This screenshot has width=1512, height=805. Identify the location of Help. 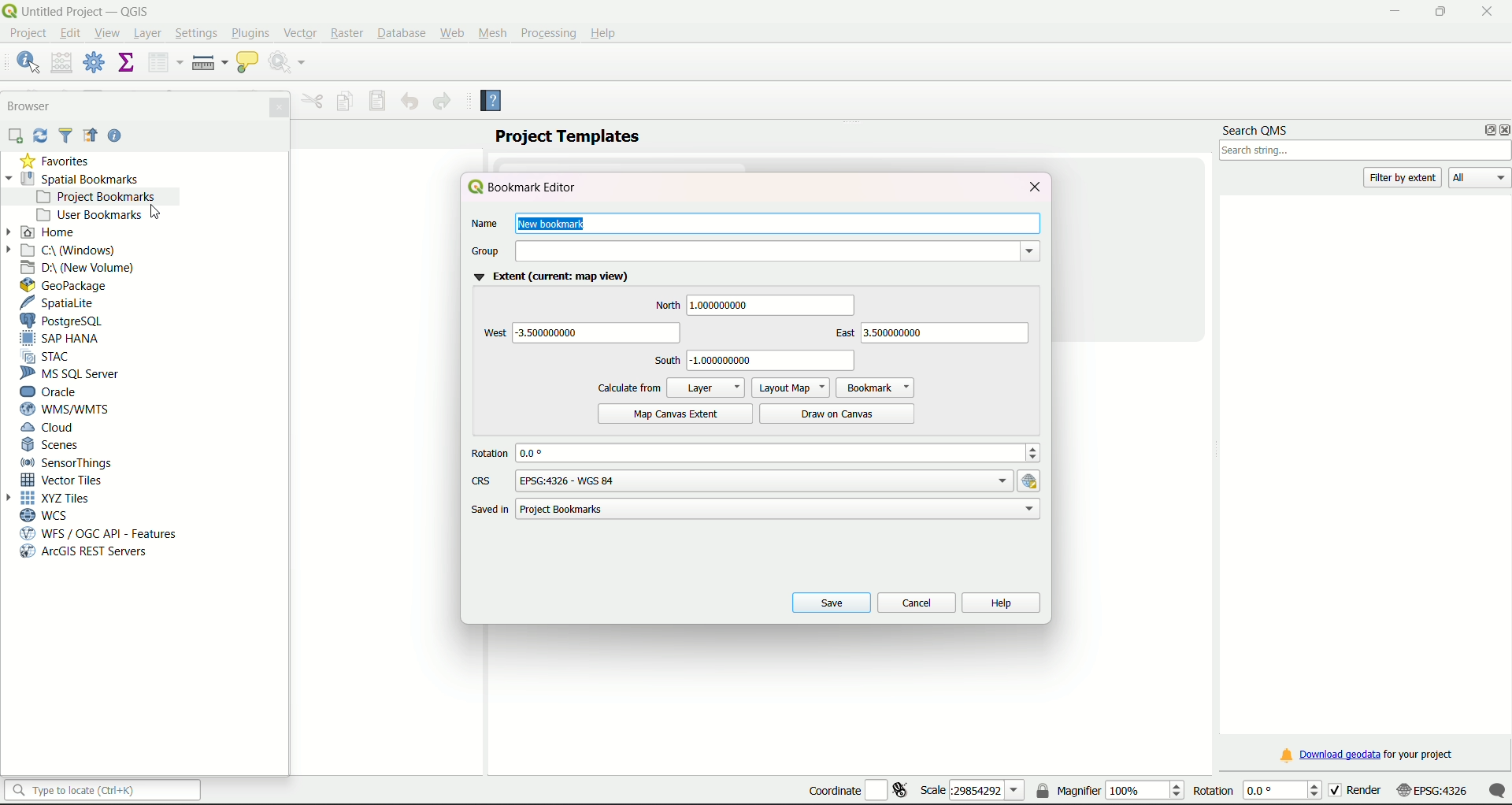
(498, 103).